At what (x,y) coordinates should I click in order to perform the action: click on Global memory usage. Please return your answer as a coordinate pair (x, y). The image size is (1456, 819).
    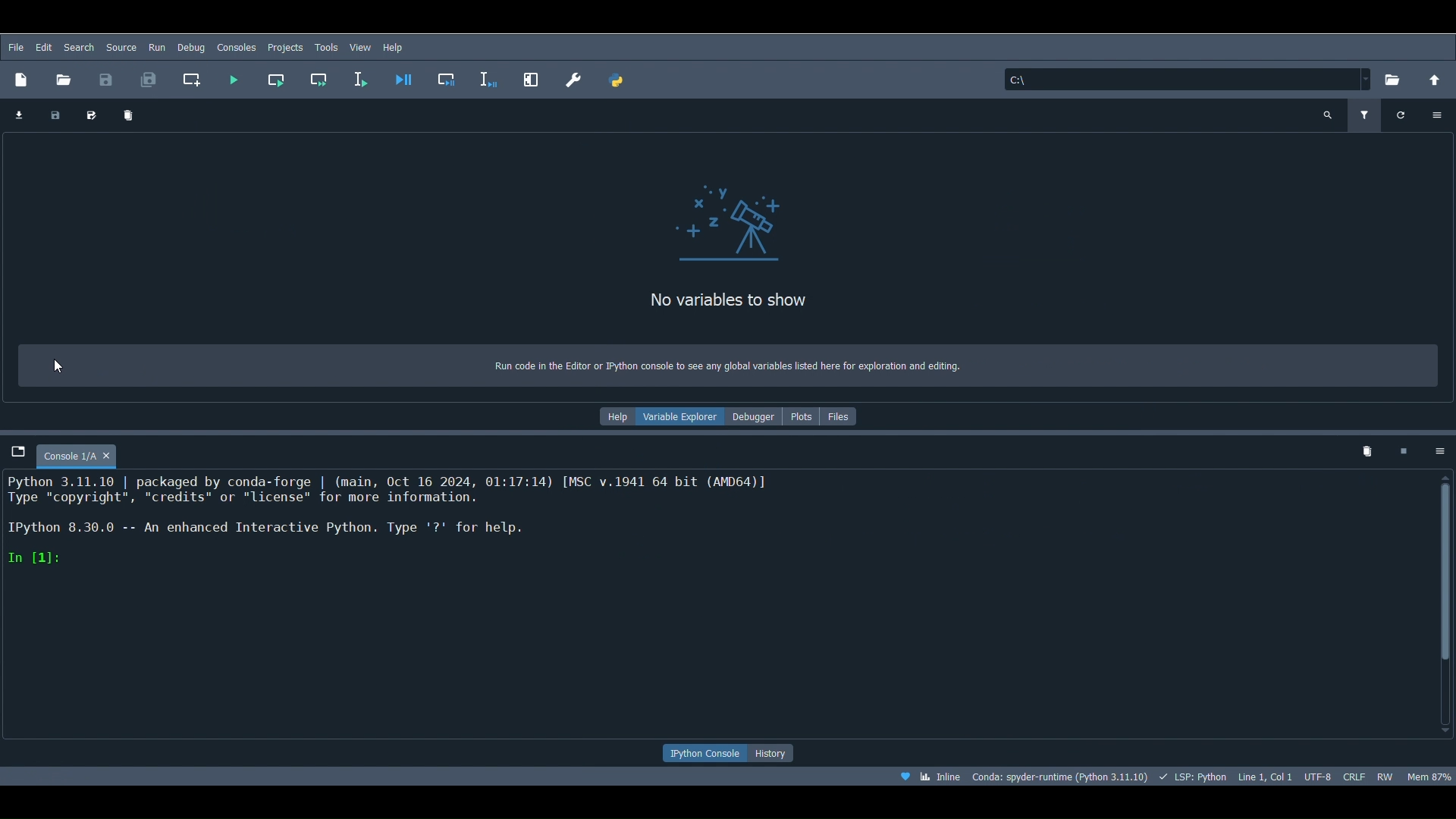
    Looking at the image, I should click on (1429, 773).